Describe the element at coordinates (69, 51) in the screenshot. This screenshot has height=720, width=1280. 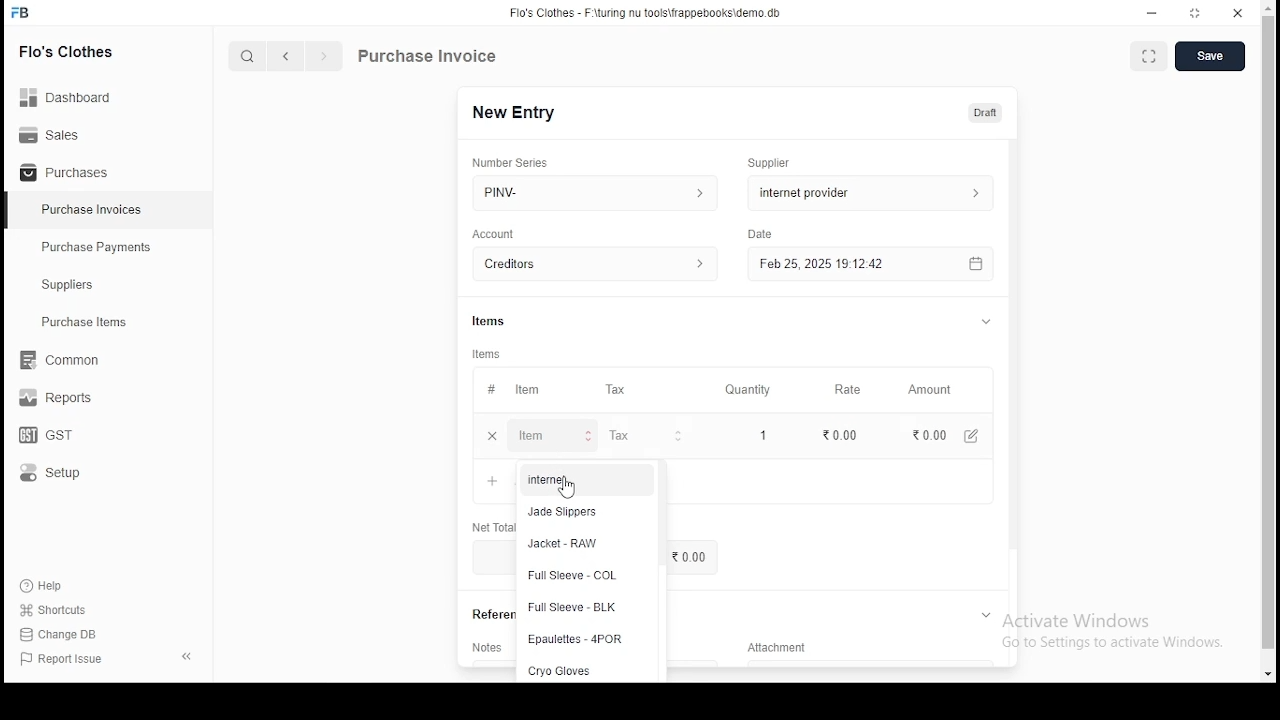
I see `flo's clothes` at that location.